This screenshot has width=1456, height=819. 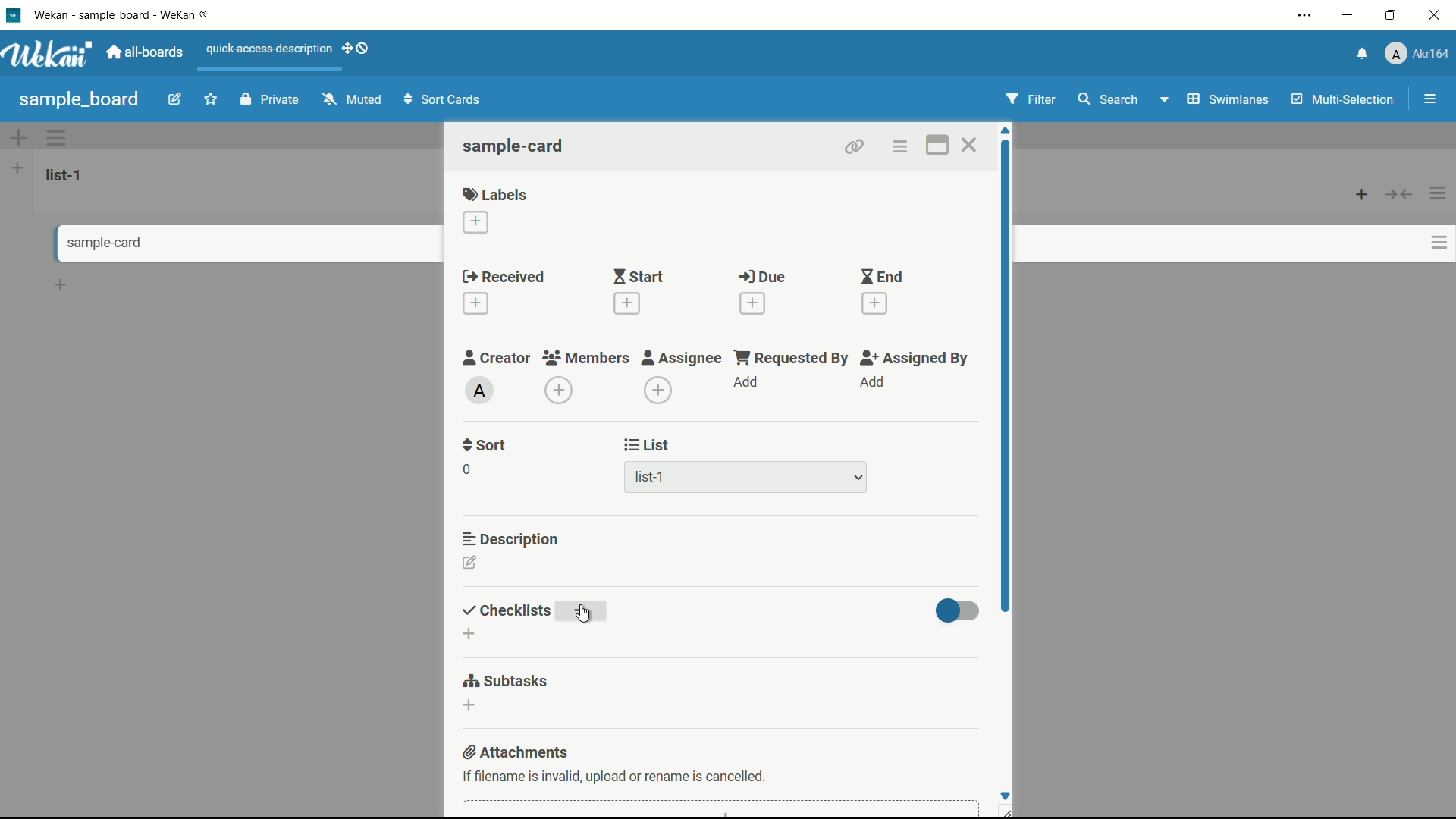 I want to click on sort, so click(x=485, y=445).